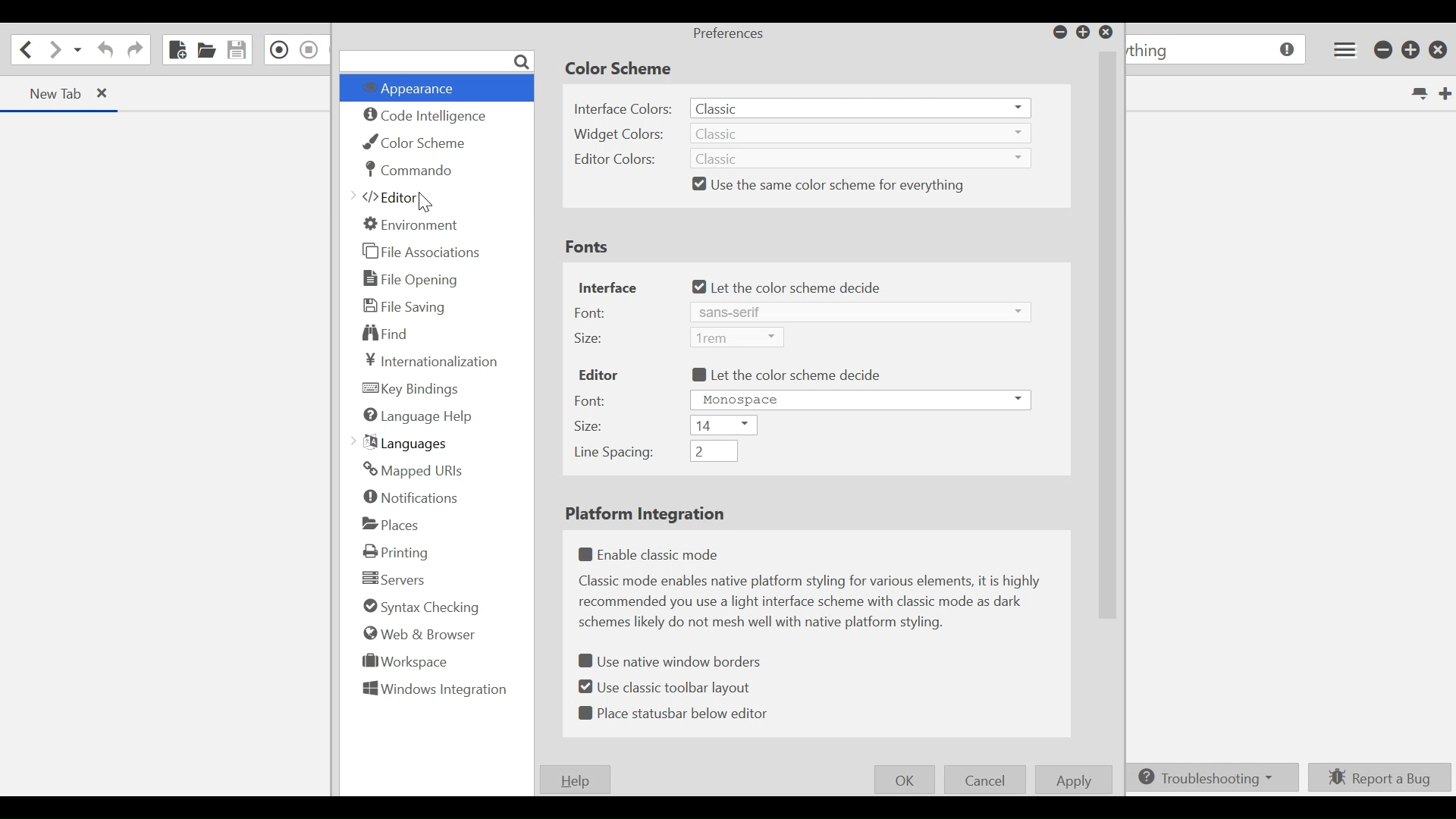 The image size is (1456, 819). I want to click on Close, so click(1106, 33).